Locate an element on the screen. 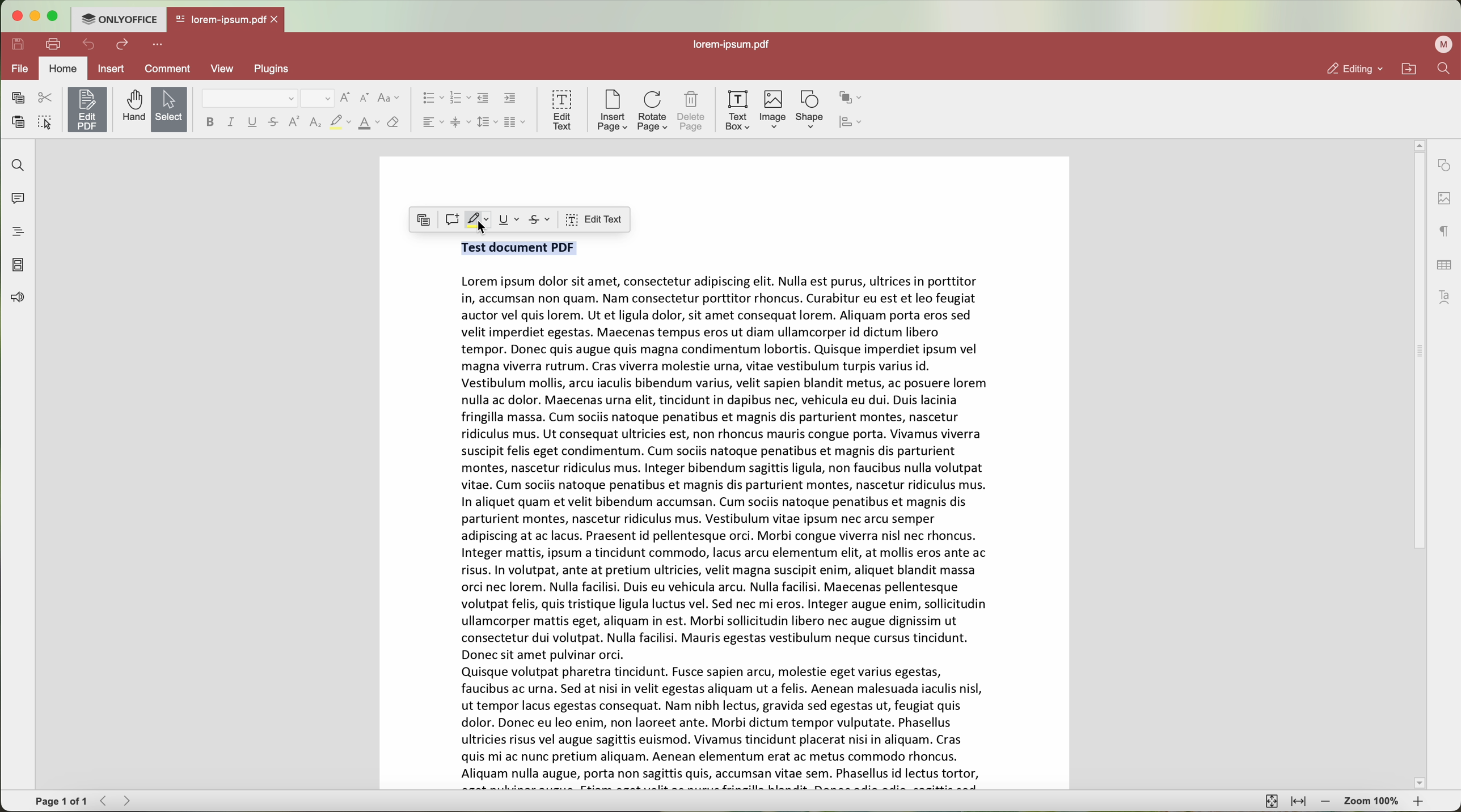 This screenshot has height=812, width=1461. edit PDF is located at coordinates (87, 109).